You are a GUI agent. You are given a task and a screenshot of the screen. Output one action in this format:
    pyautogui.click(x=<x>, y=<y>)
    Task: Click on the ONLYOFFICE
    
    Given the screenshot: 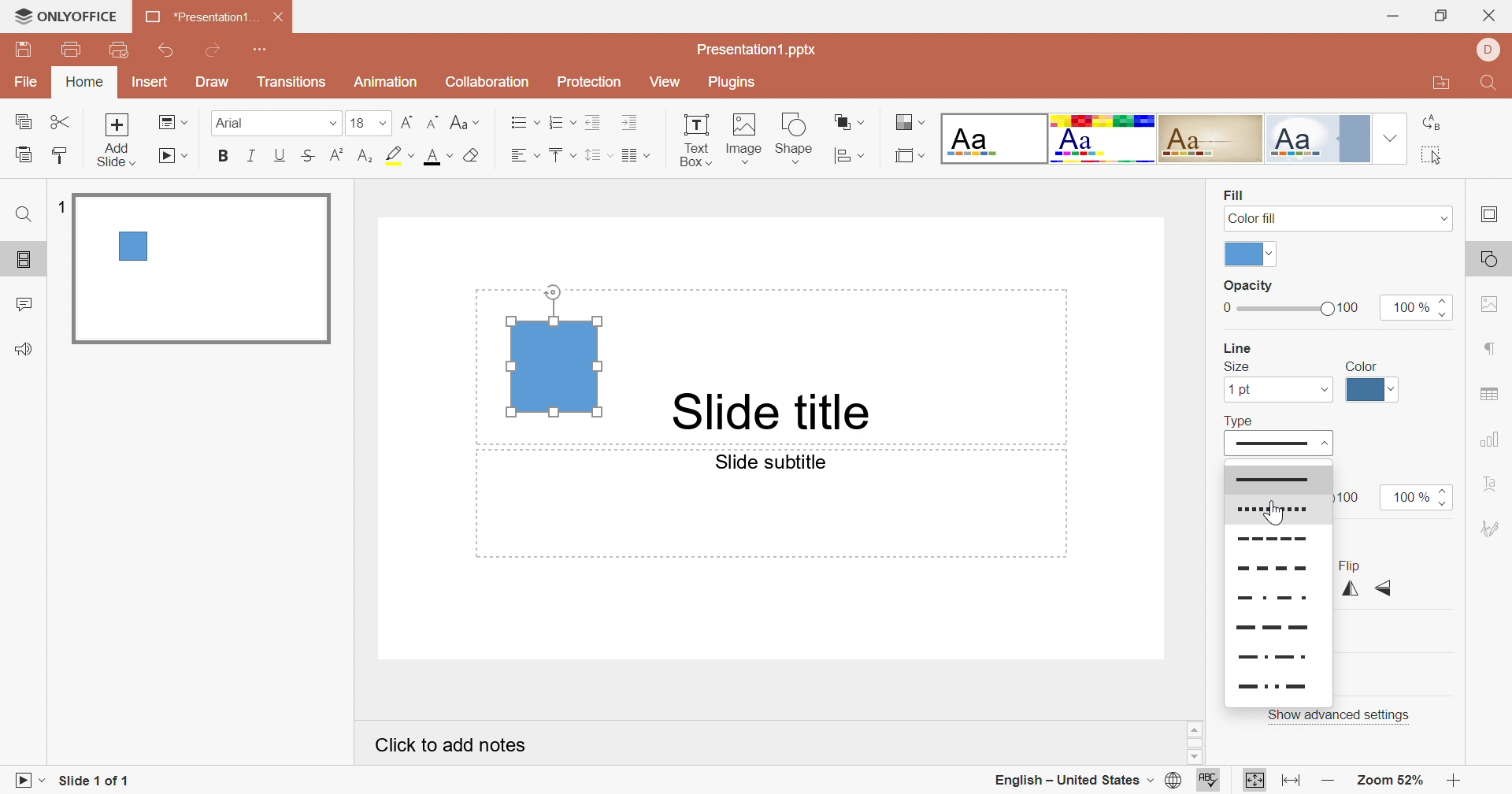 What is the action you would take?
    pyautogui.click(x=67, y=15)
    